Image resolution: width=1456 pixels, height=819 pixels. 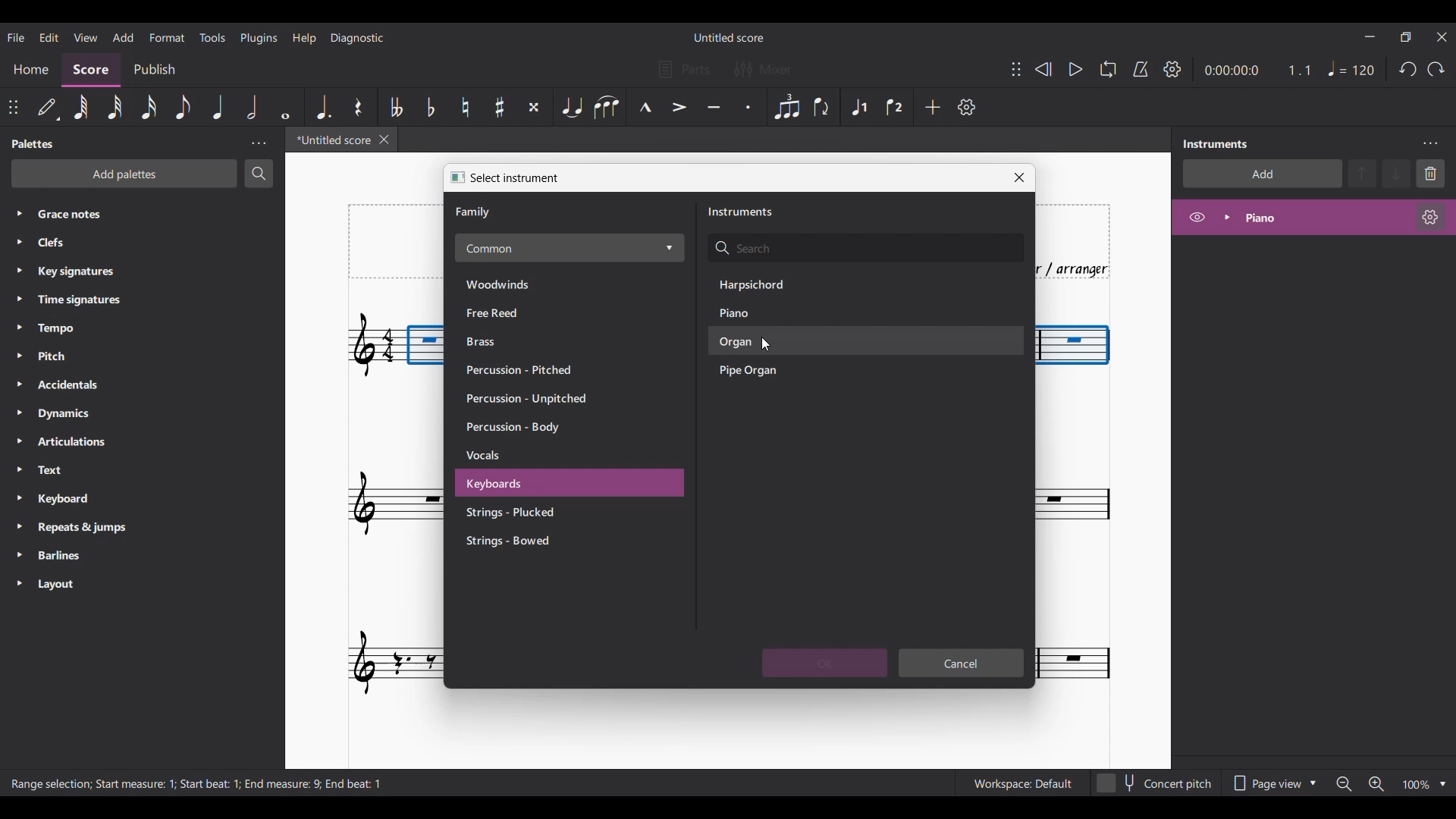 I want to click on Layout, so click(x=79, y=585).